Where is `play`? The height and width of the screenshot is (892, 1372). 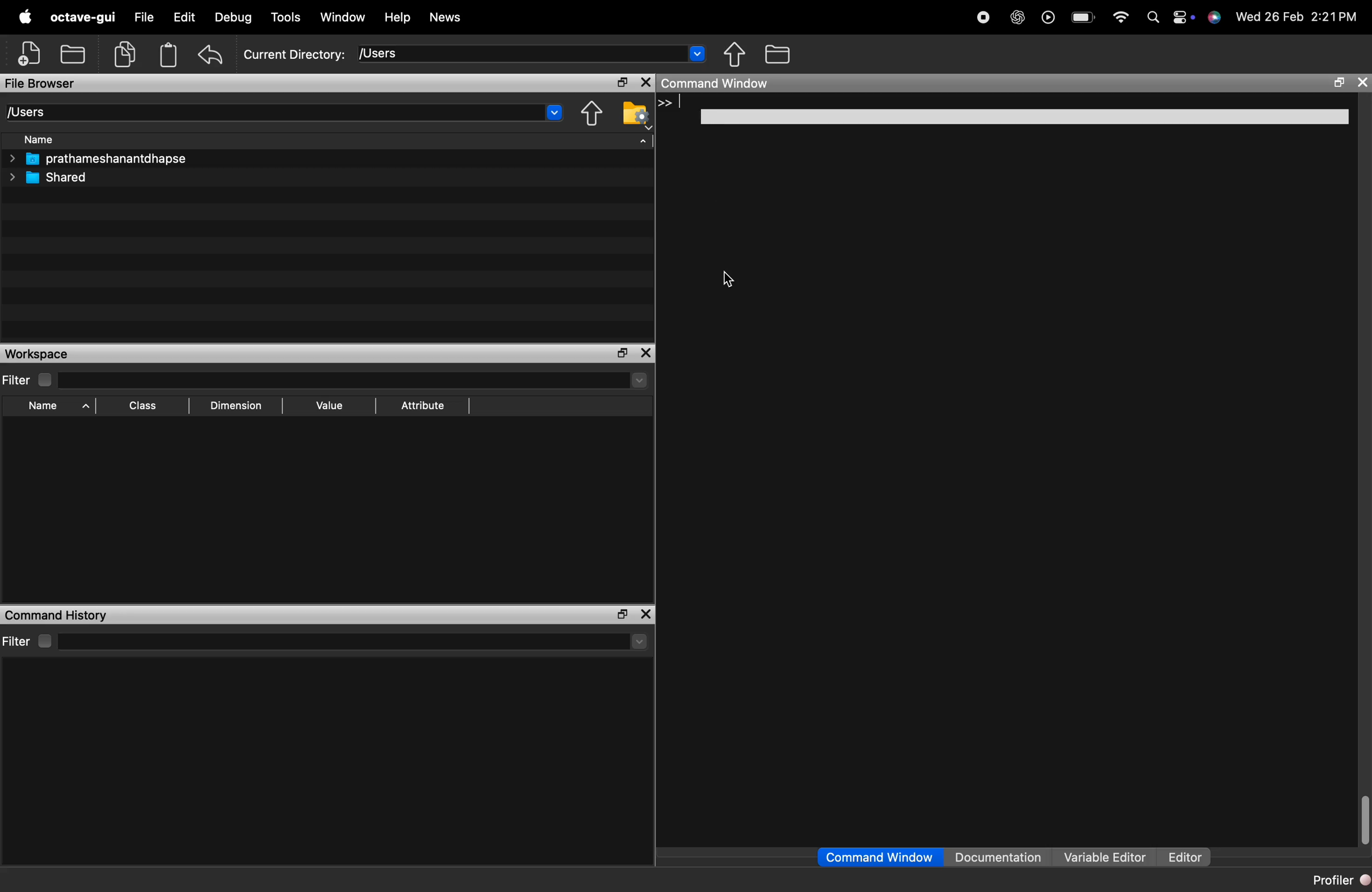
play is located at coordinates (1049, 14).